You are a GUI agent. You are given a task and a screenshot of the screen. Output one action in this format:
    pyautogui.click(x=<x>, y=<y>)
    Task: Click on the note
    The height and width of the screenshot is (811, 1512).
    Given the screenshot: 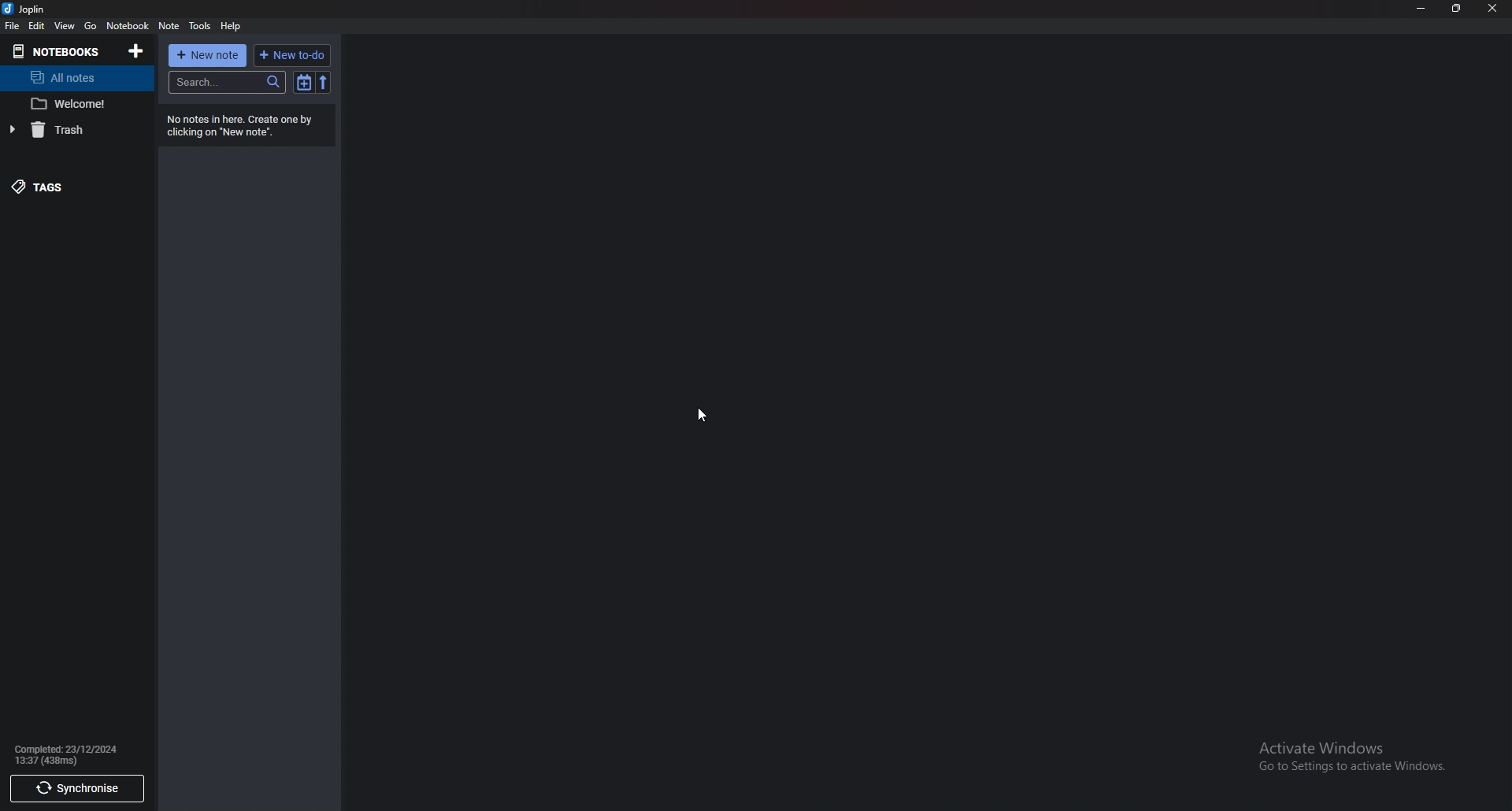 What is the action you would take?
    pyautogui.click(x=169, y=26)
    